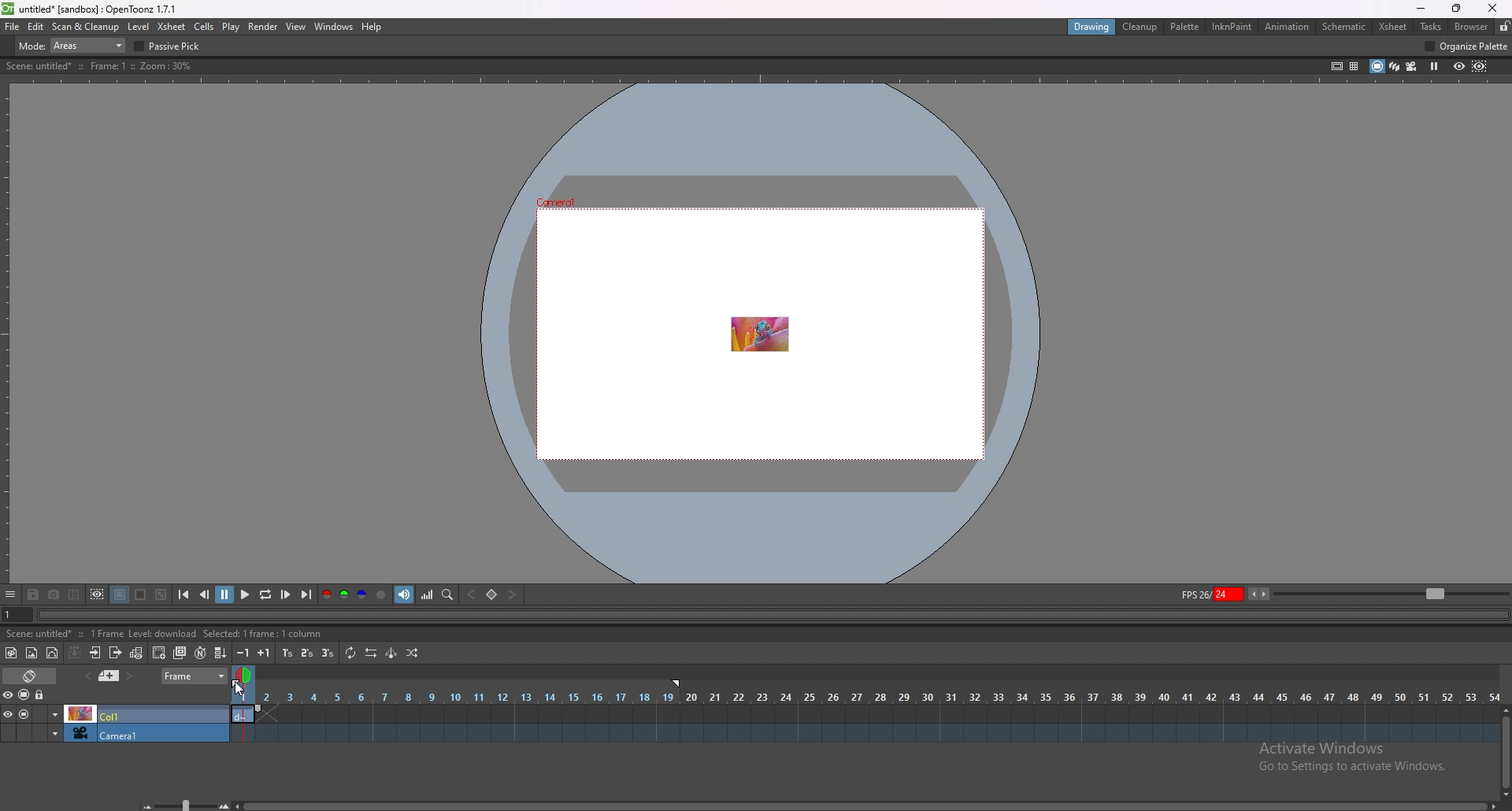 This screenshot has height=811, width=1512. Describe the element at coordinates (173, 28) in the screenshot. I see `xsheet` at that location.